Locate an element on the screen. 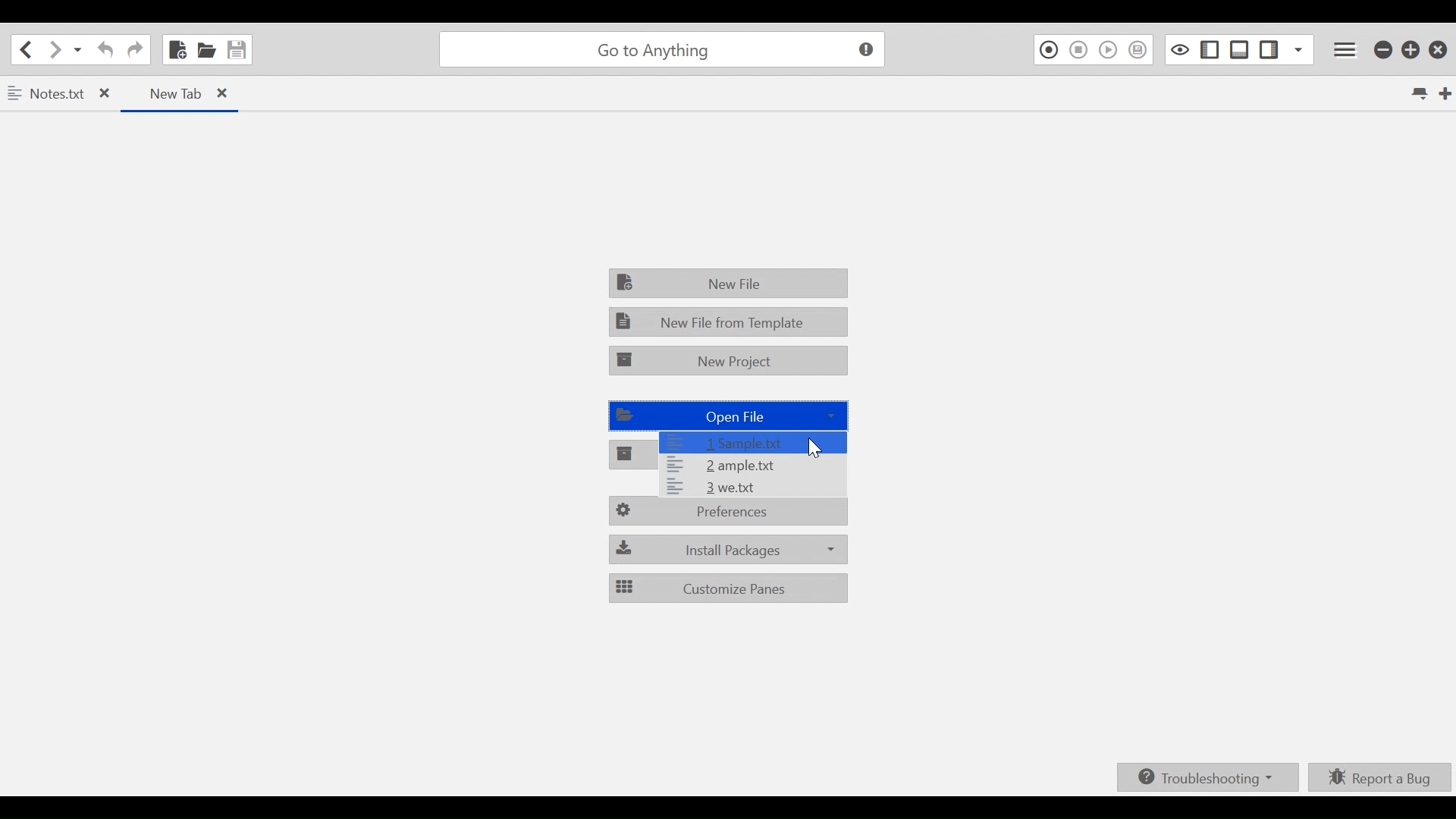 The height and width of the screenshot is (819, 1456). Recording Macro is located at coordinates (1047, 50).